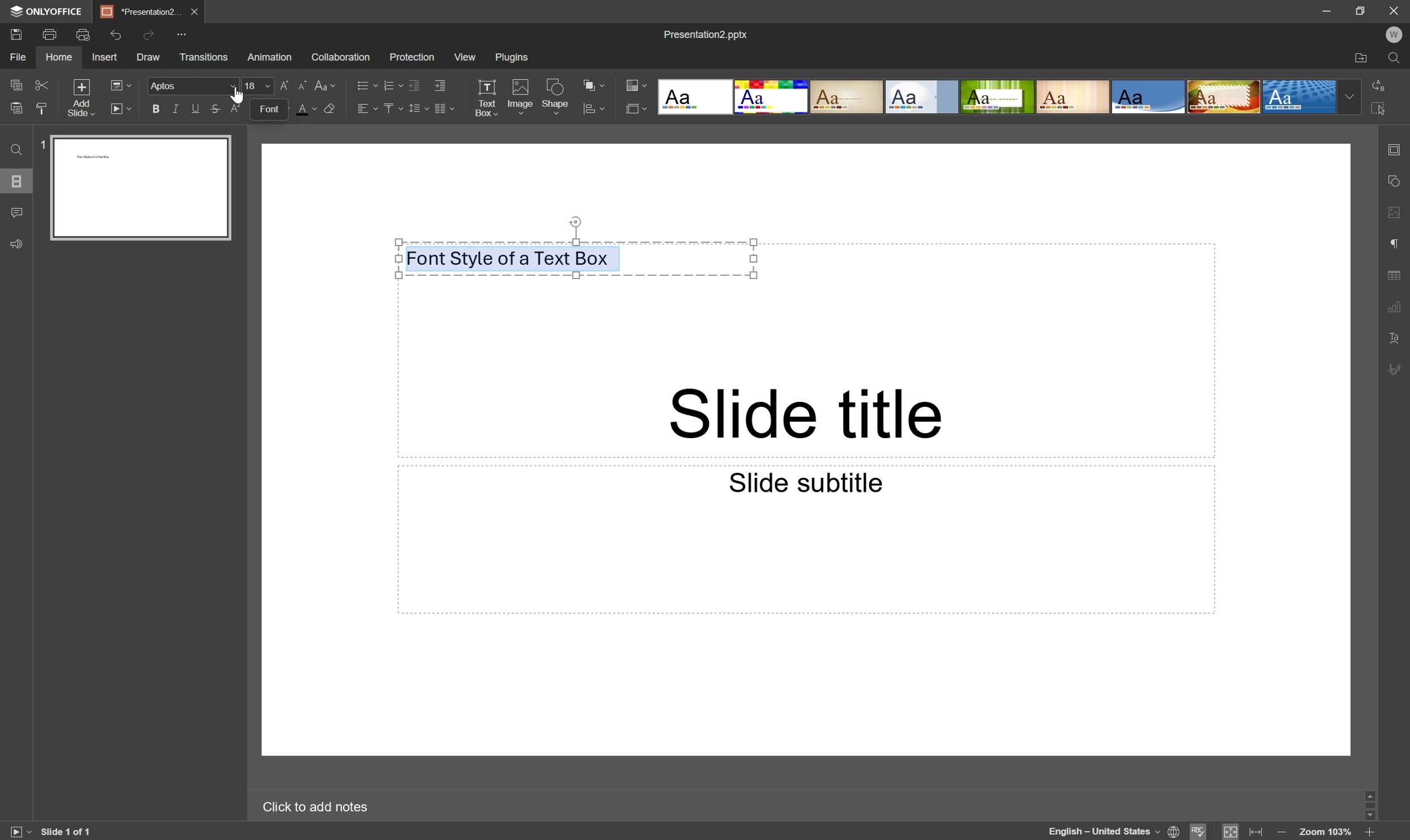  What do you see at coordinates (638, 107) in the screenshot?
I see `Select slide layout` at bounding box center [638, 107].